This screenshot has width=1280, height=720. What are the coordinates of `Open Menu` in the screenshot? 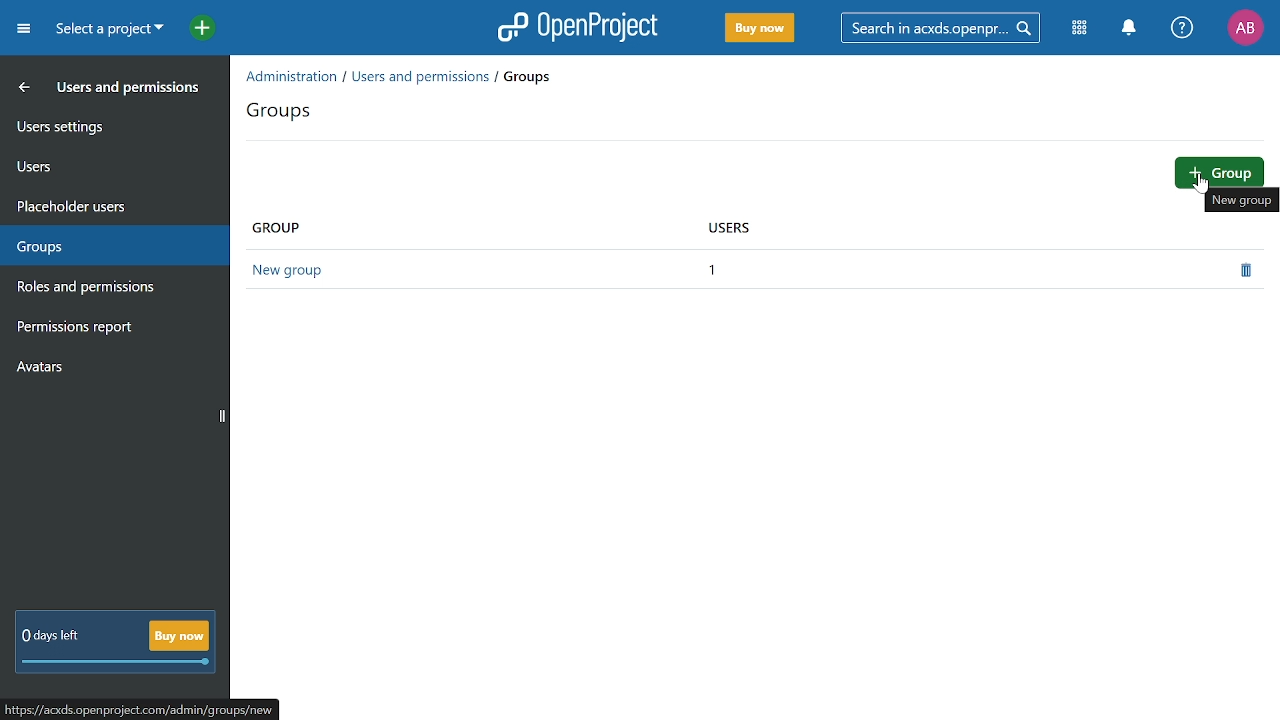 It's located at (27, 32).